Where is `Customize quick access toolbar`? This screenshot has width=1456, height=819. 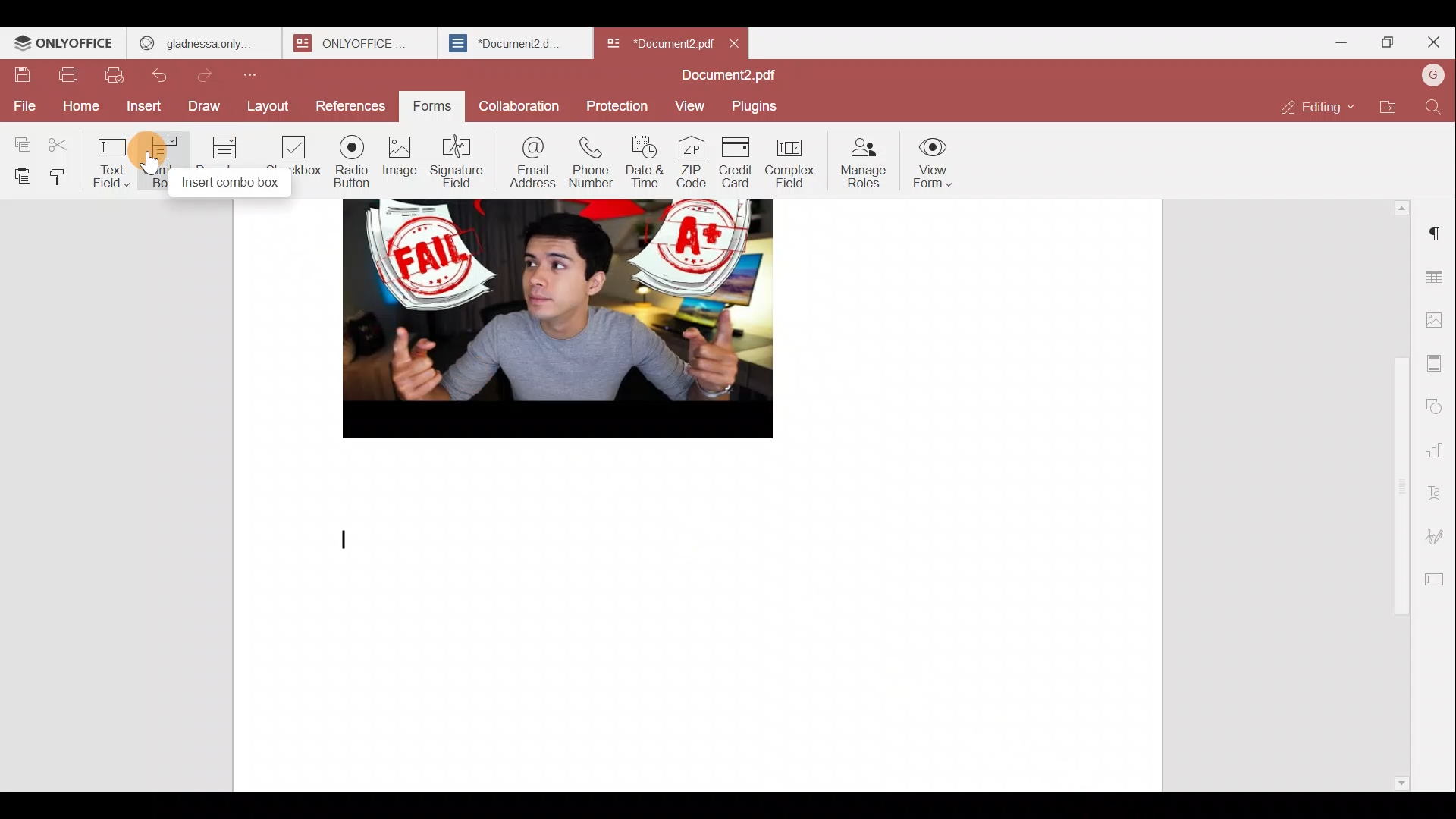 Customize quick access toolbar is located at coordinates (256, 80).